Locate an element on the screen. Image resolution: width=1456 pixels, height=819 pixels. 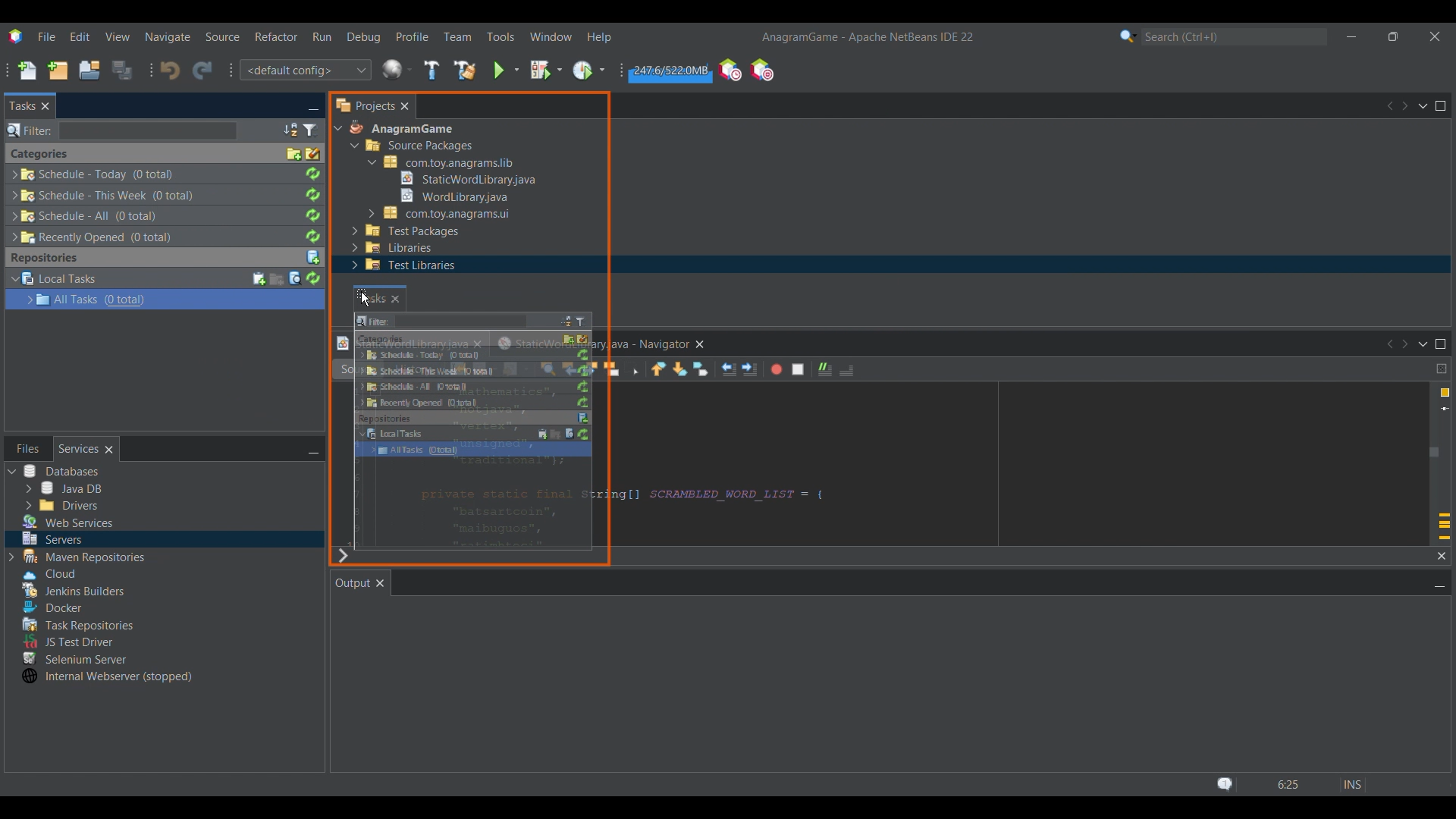
 is located at coordinates (400, 266).